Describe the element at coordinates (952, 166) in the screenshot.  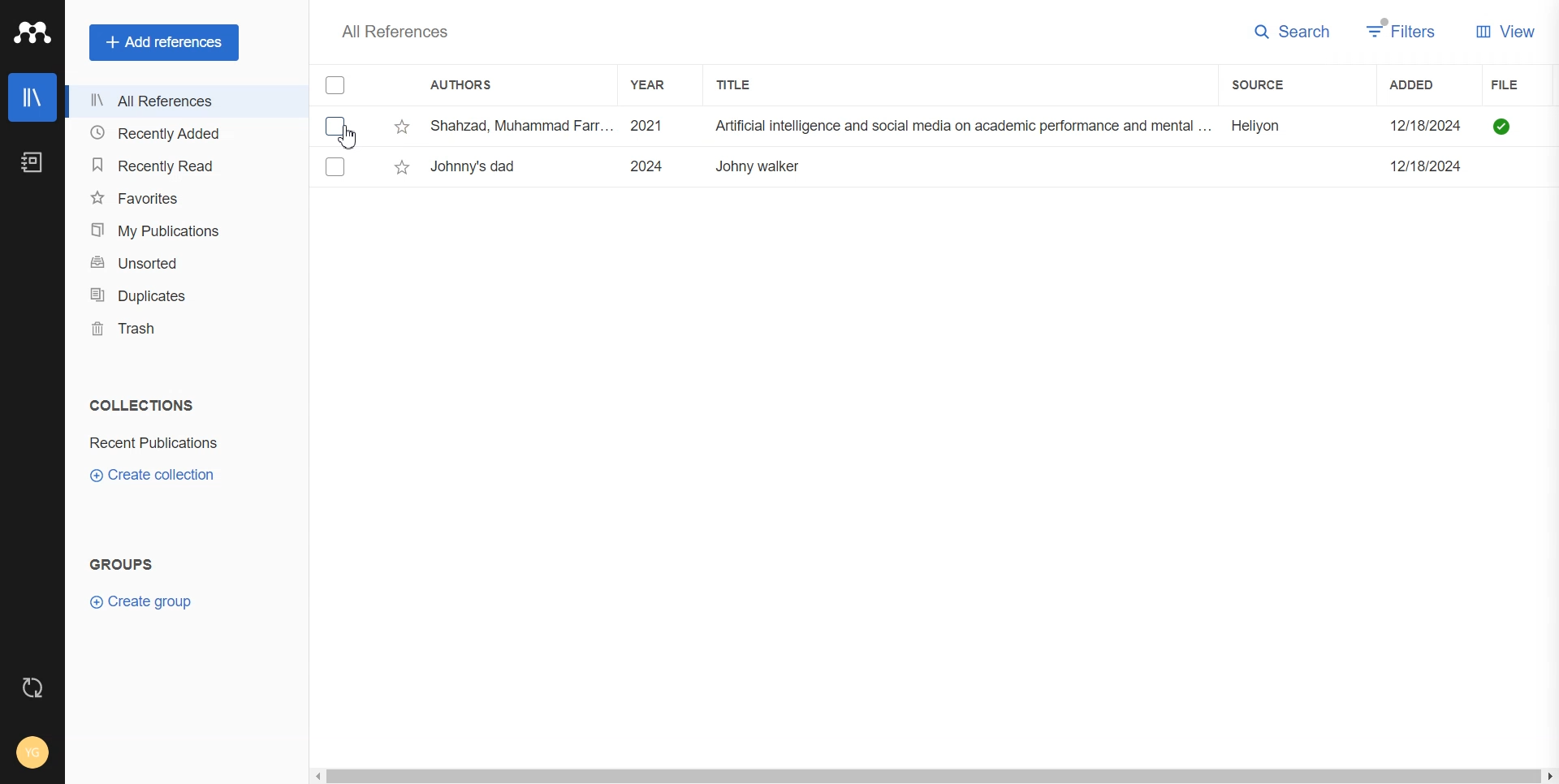
I see `Ezquerro, L.; Coimbra, R.; ... 2023 Large dinosaur egg accumulations and their significance for understanding ne... Geoscience Frontiers ~~ 12/18/2024` at that location.